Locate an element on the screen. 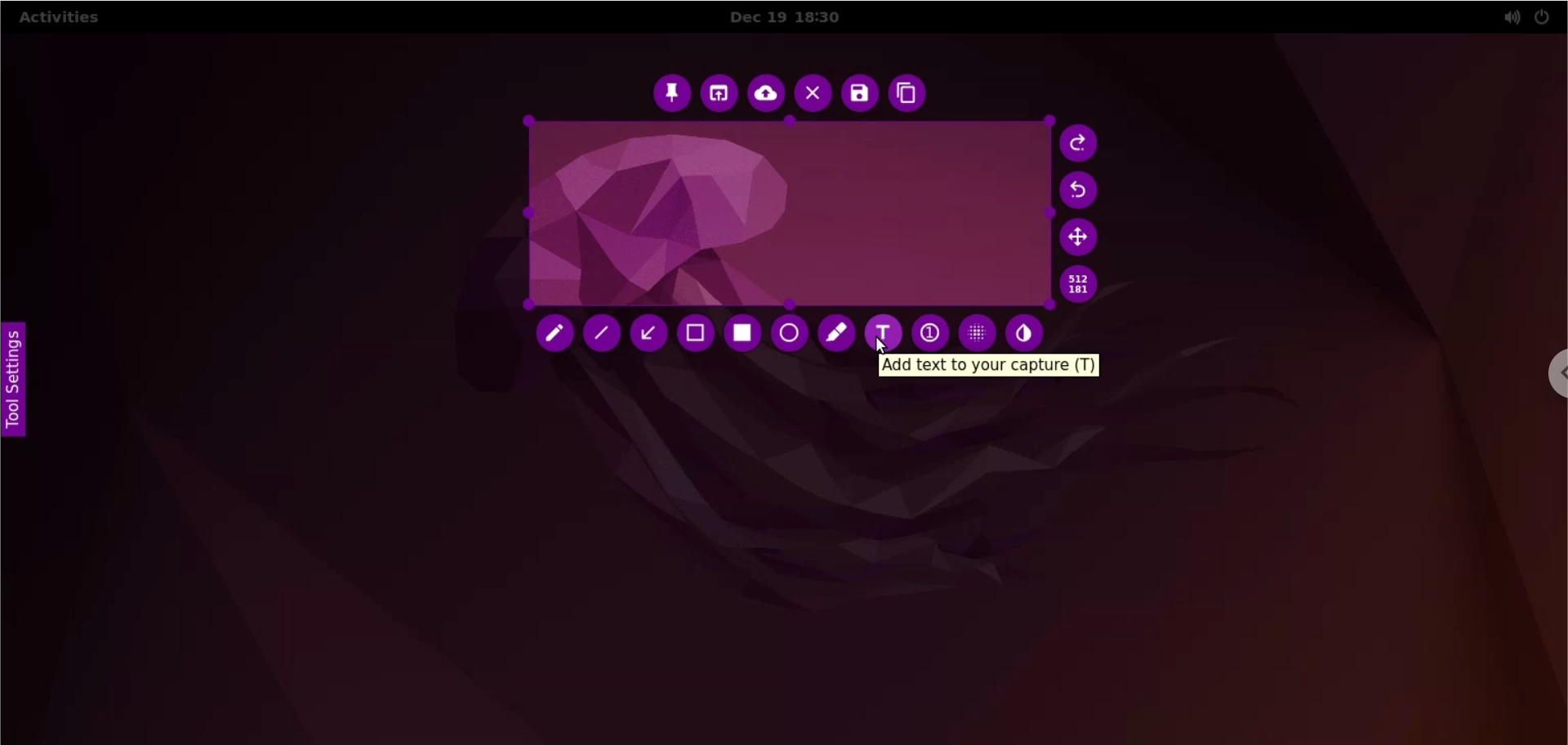 This screenshot has height=745, width=1568. add text is located at coordinates (886, 332).